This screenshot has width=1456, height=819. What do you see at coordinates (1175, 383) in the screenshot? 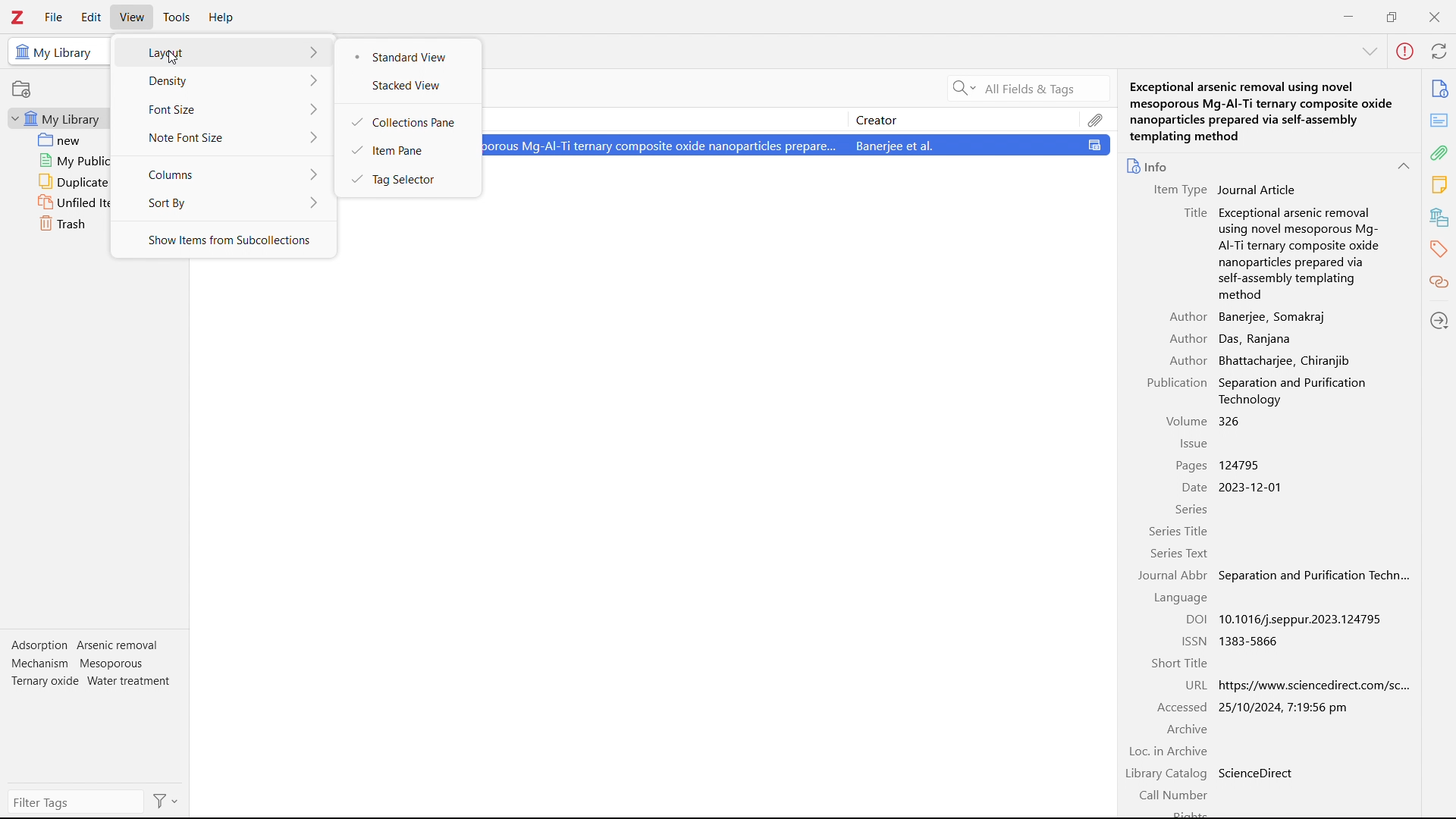
I see `Publication` at bounding box center [1175, 383].